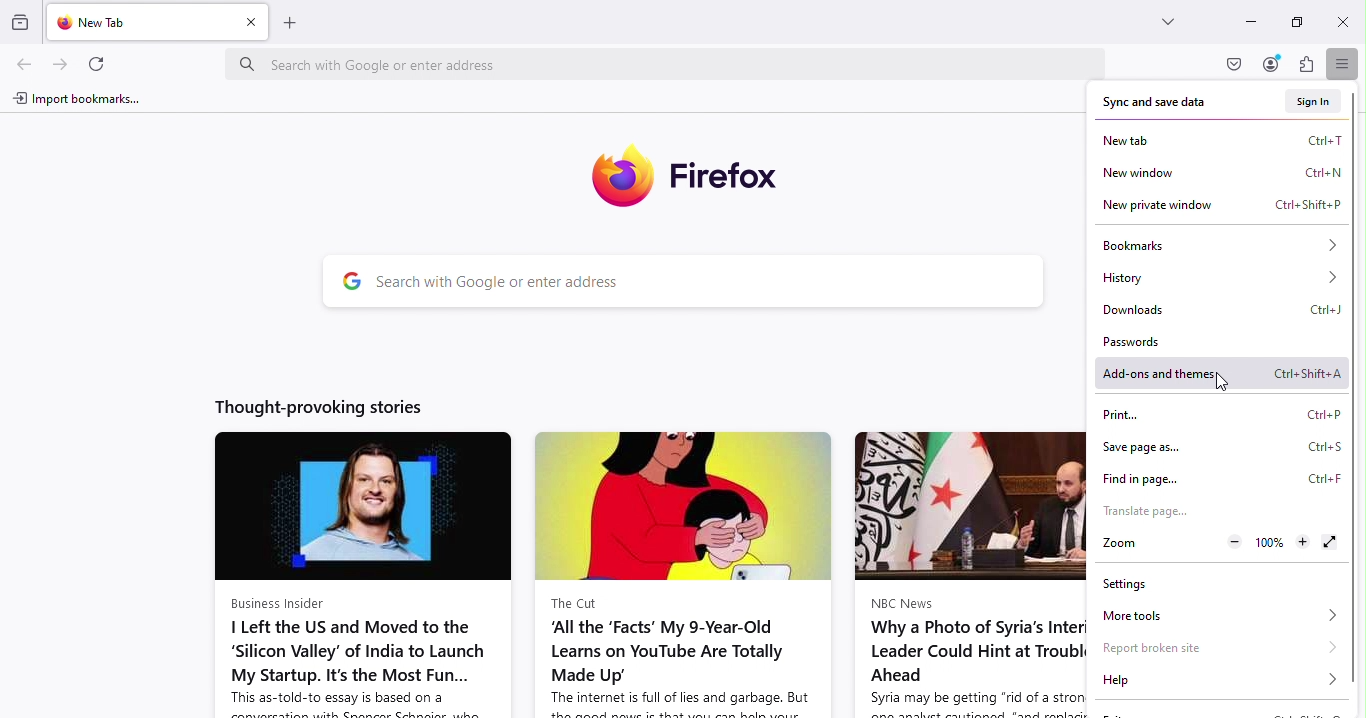 The height and width of the screenshot is (718, 1366). I want to click on Zoom in, so click(1301, 543).